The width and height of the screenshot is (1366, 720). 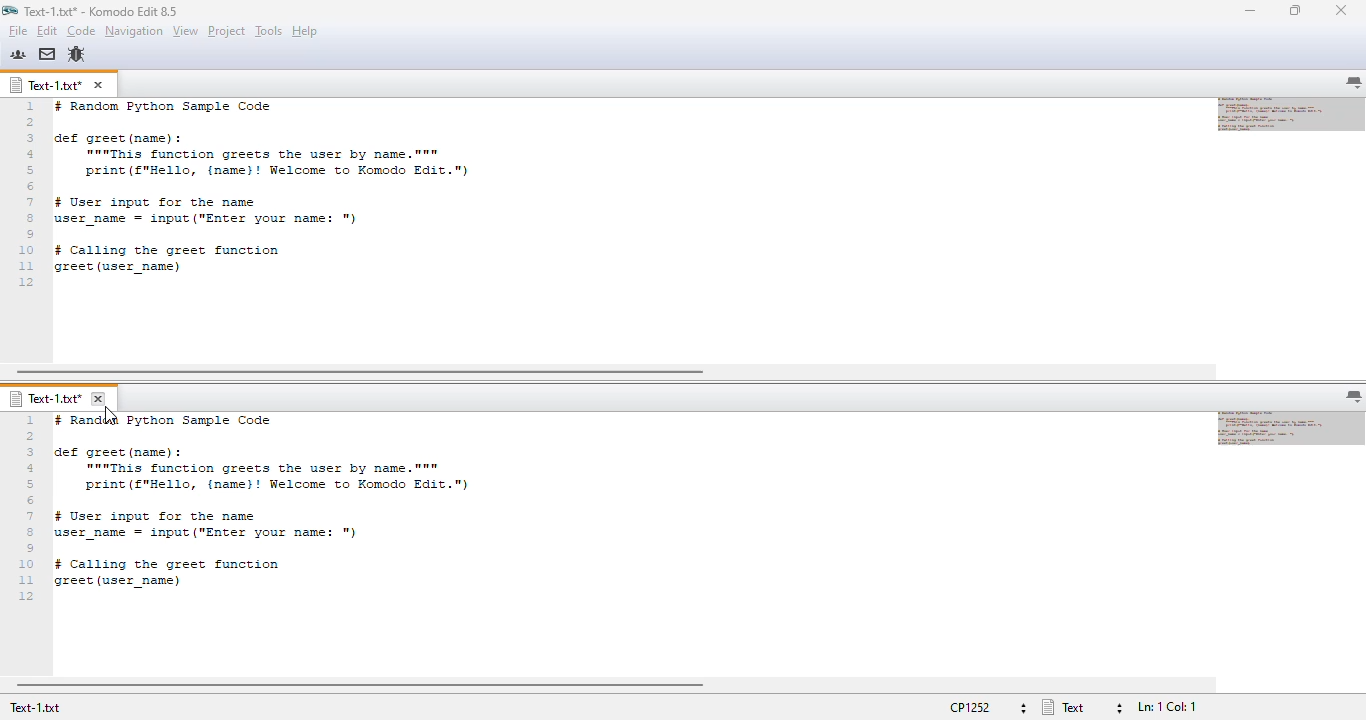 I want to click on file encoding, so click(x=989, y=708).